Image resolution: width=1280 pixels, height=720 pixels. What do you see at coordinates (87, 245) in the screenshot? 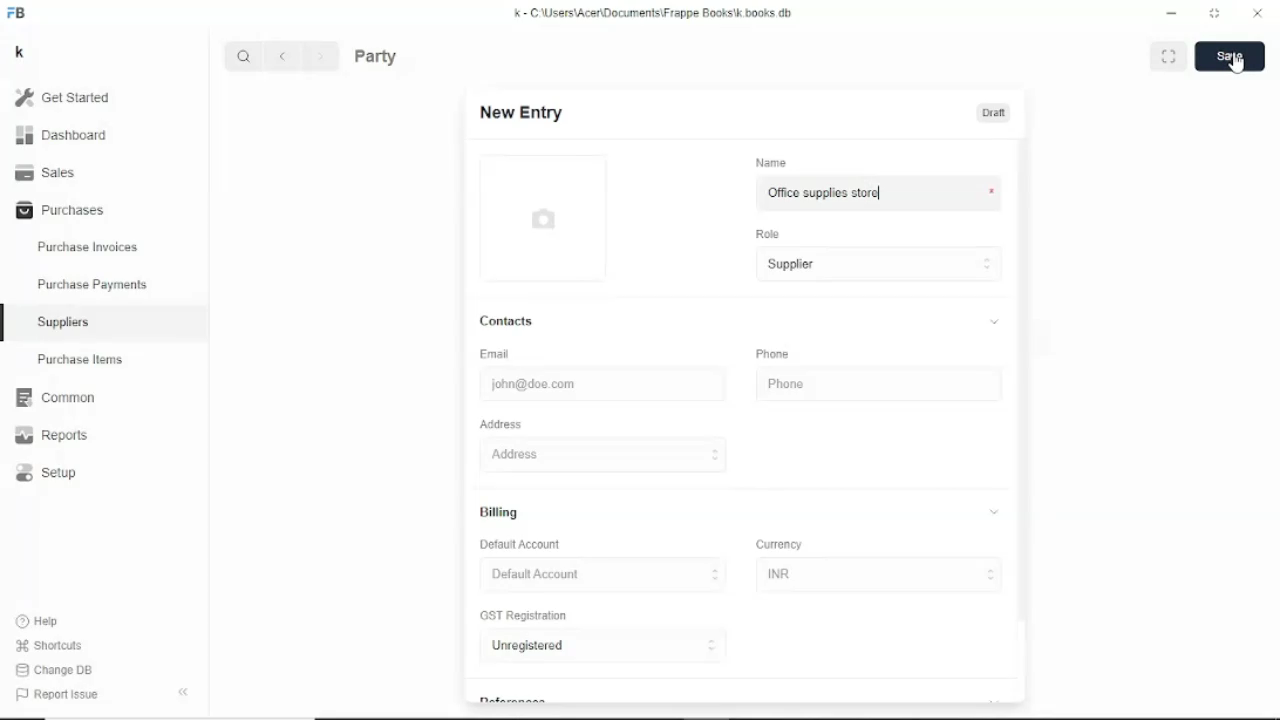
I see `Purchase invoices` at bounding box center [87, 245].